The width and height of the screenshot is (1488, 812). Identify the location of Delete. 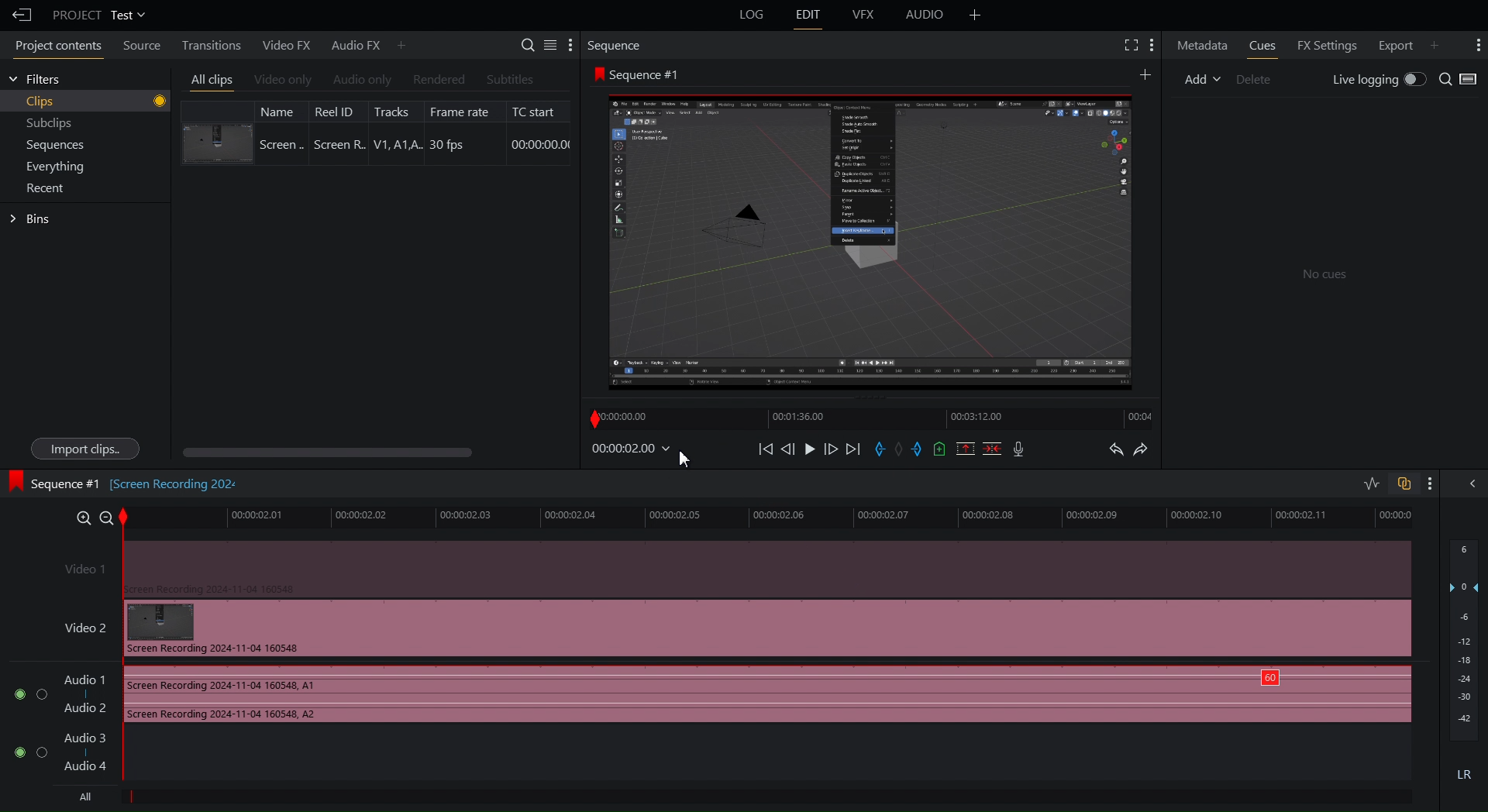
(1260, 77).